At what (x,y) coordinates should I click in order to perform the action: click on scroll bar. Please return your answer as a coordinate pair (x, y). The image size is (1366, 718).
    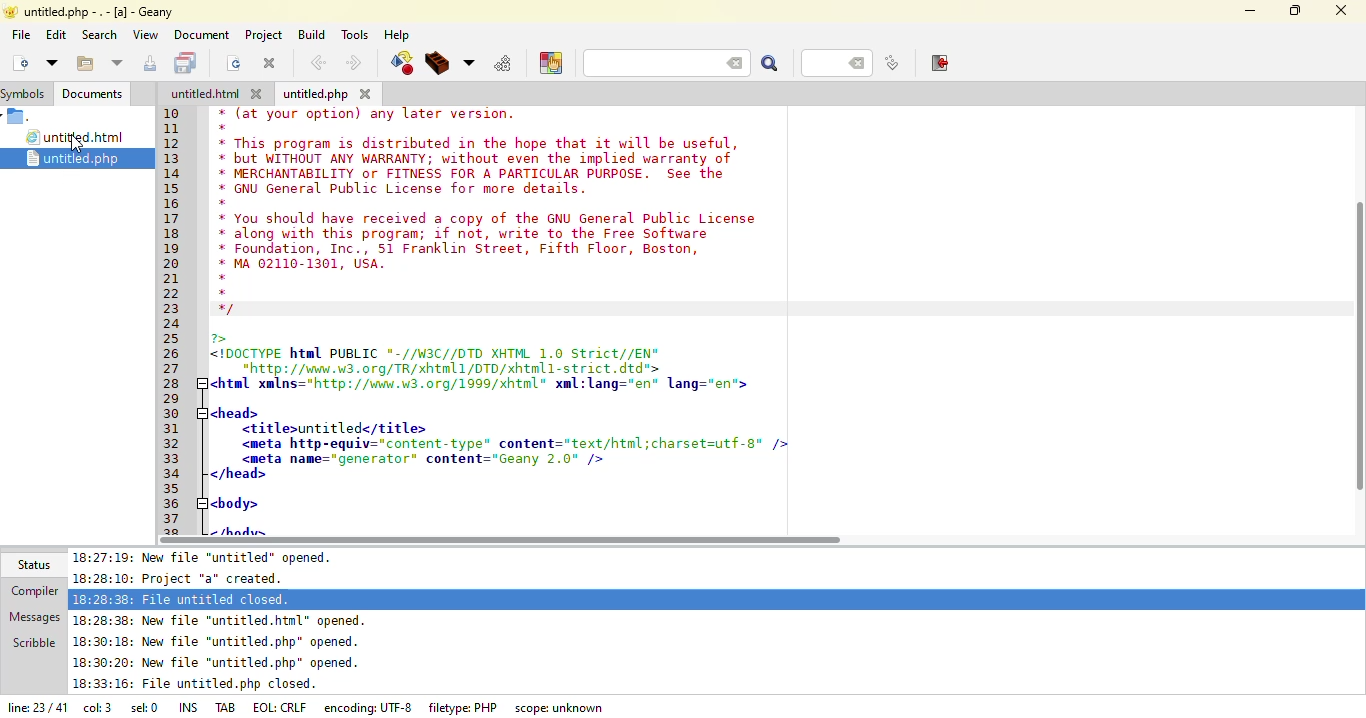
    Looking at the image, I should click on (504, 540).